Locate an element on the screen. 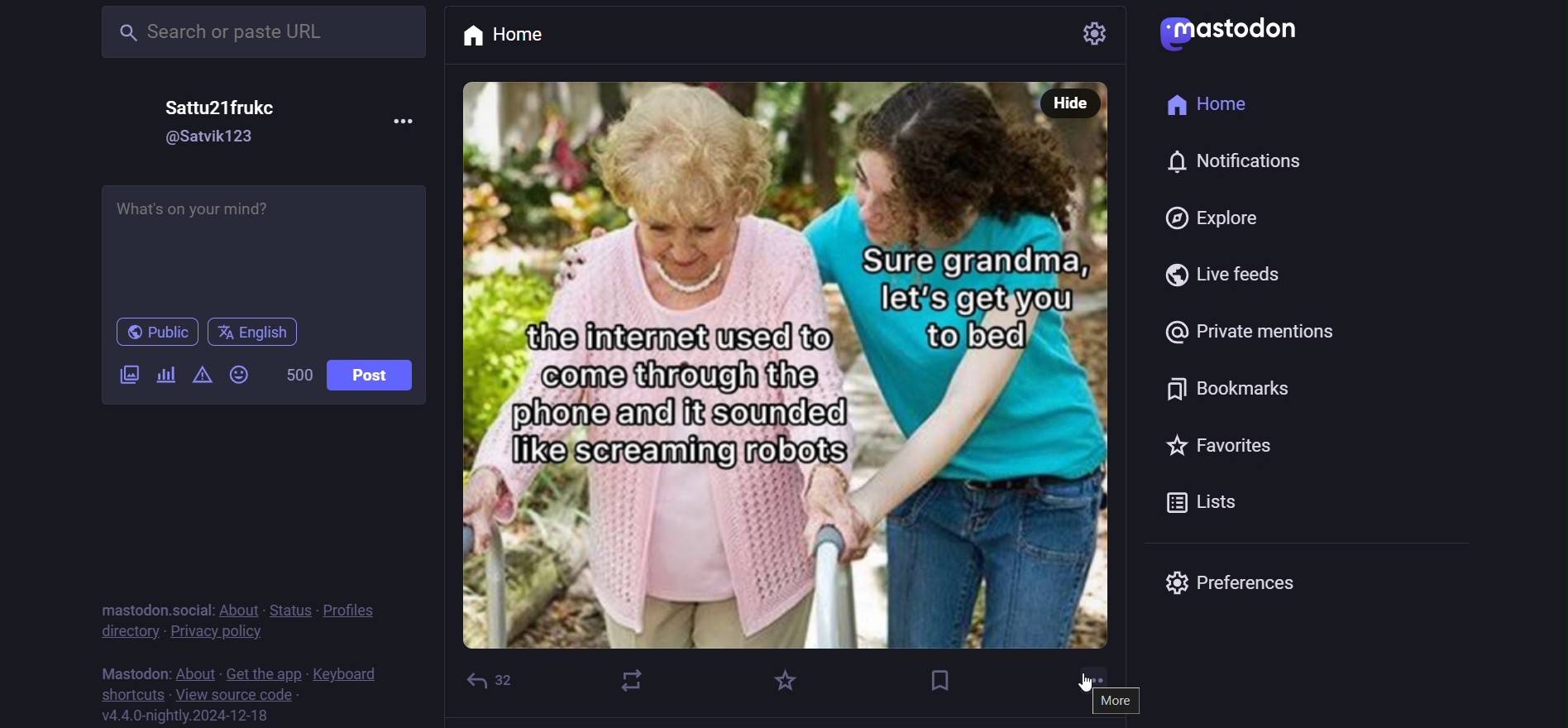  profiles is located at coordinates (354, 608).